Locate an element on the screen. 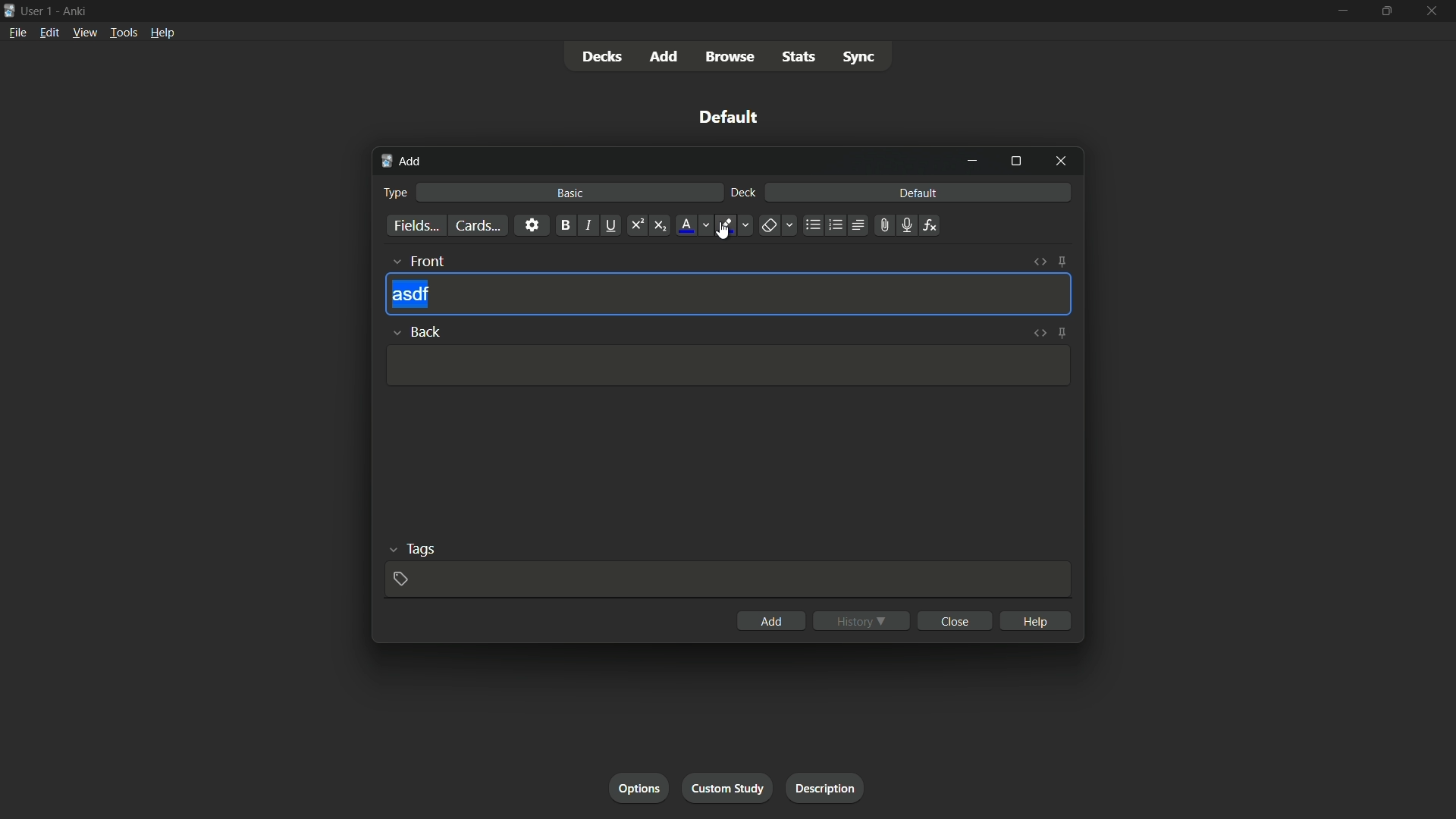  tags is located at coordinates (410, 549).